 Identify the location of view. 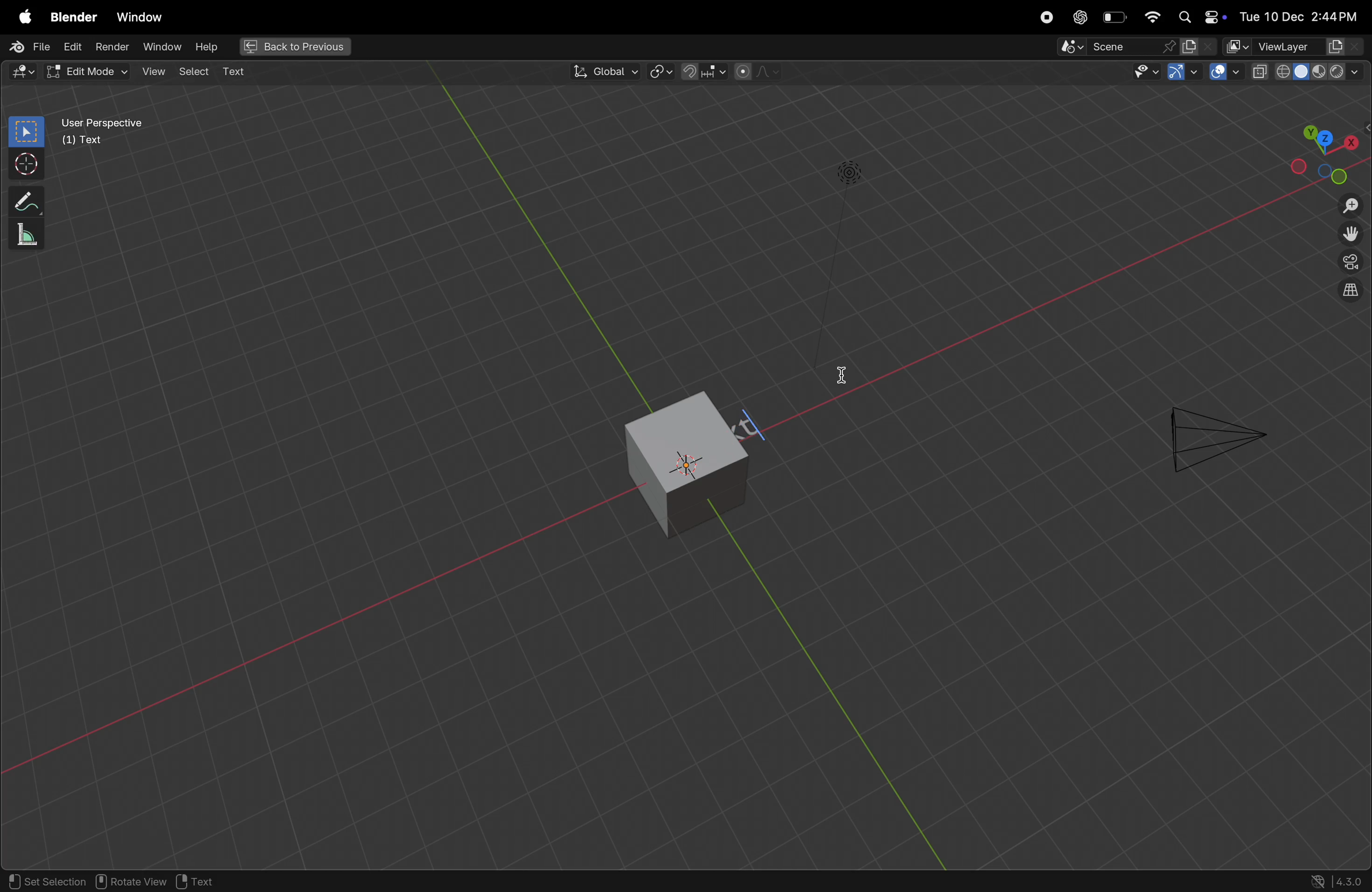
(159, 73).